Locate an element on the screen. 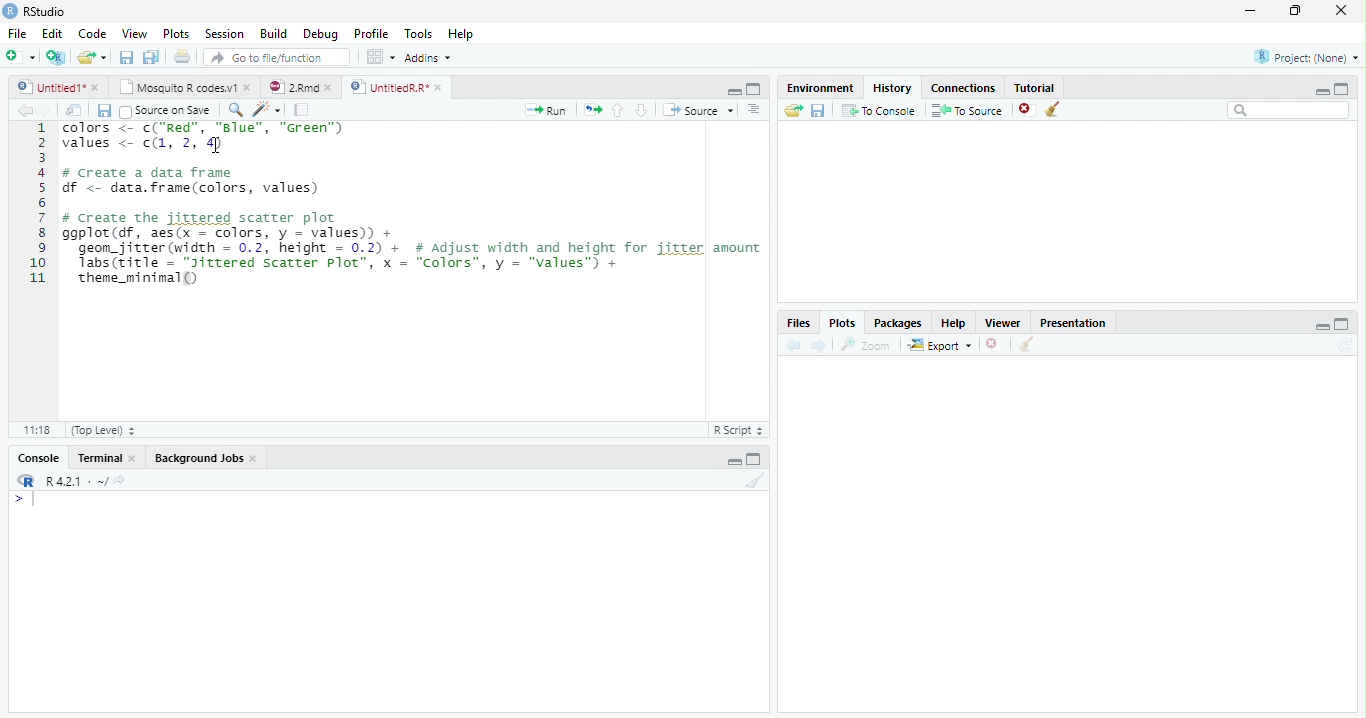 This screenshot has width=1366, height=718. Mosquito R codes.v1 is located at coordinates (175, 87).